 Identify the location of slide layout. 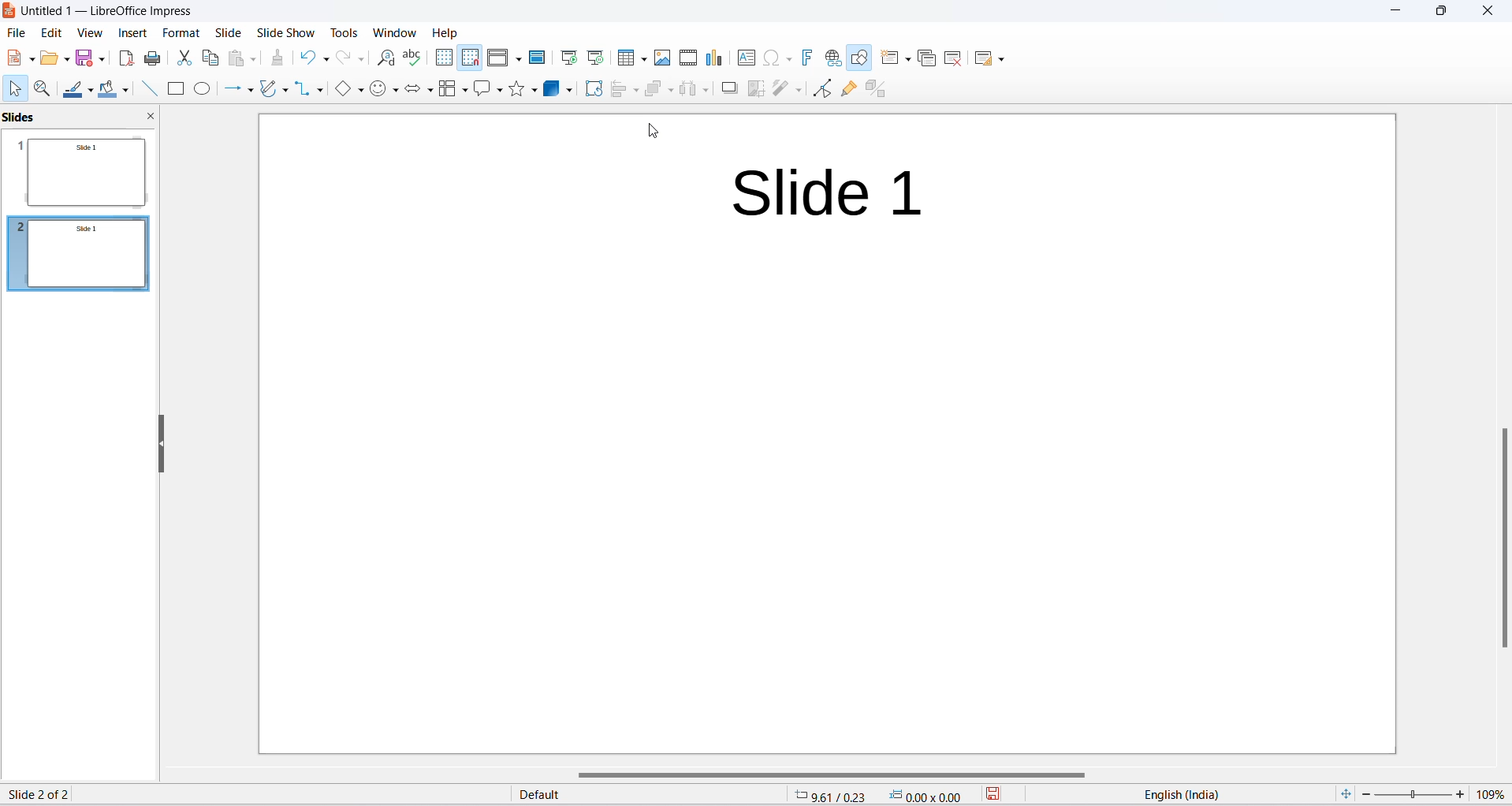
(992, 58).